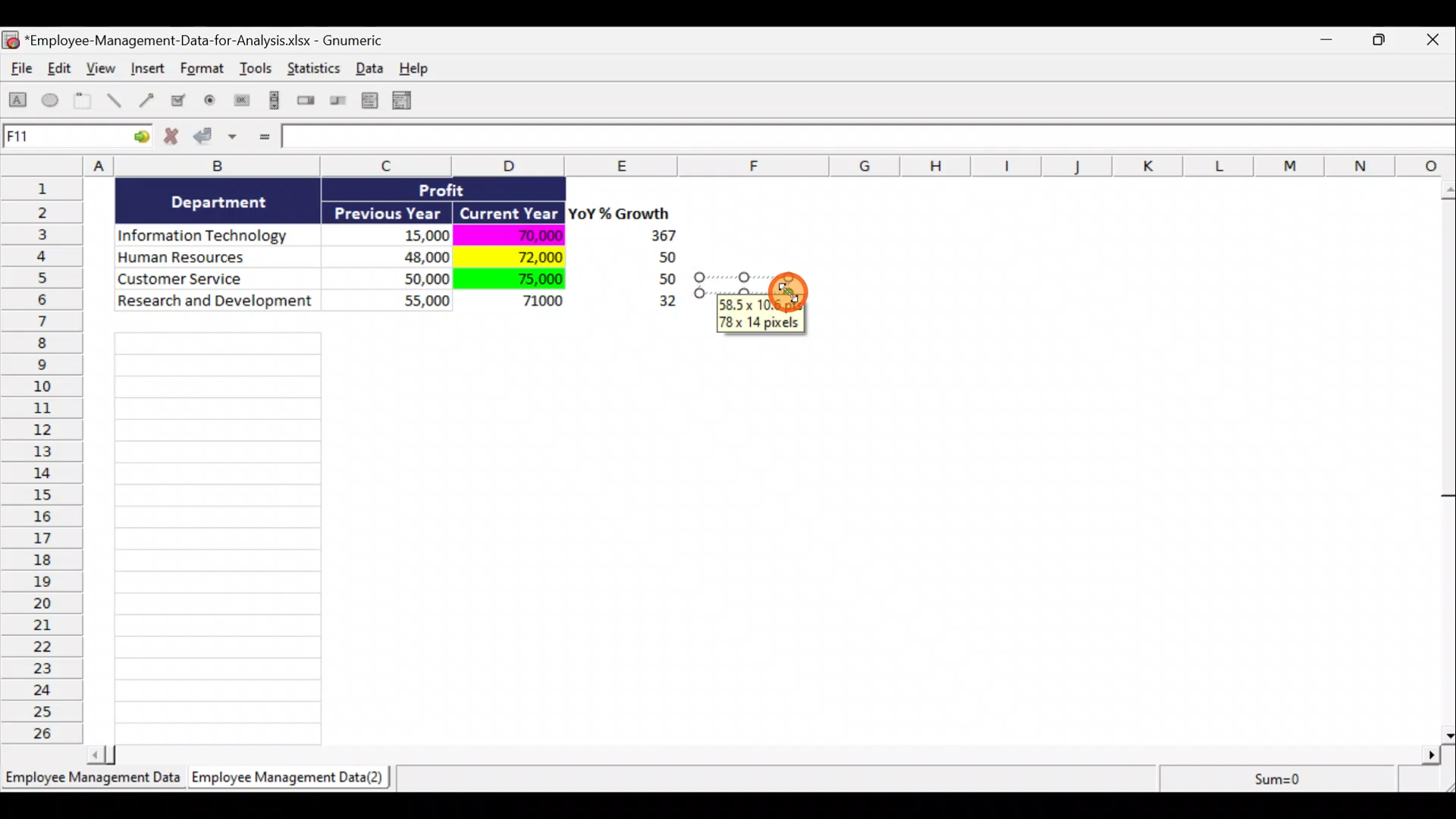 This screenshot has width=1456, height=819. What do you see at coordinates (61, 70) in the screenshot?
I see `Edit` at bounding box center [61, 70].